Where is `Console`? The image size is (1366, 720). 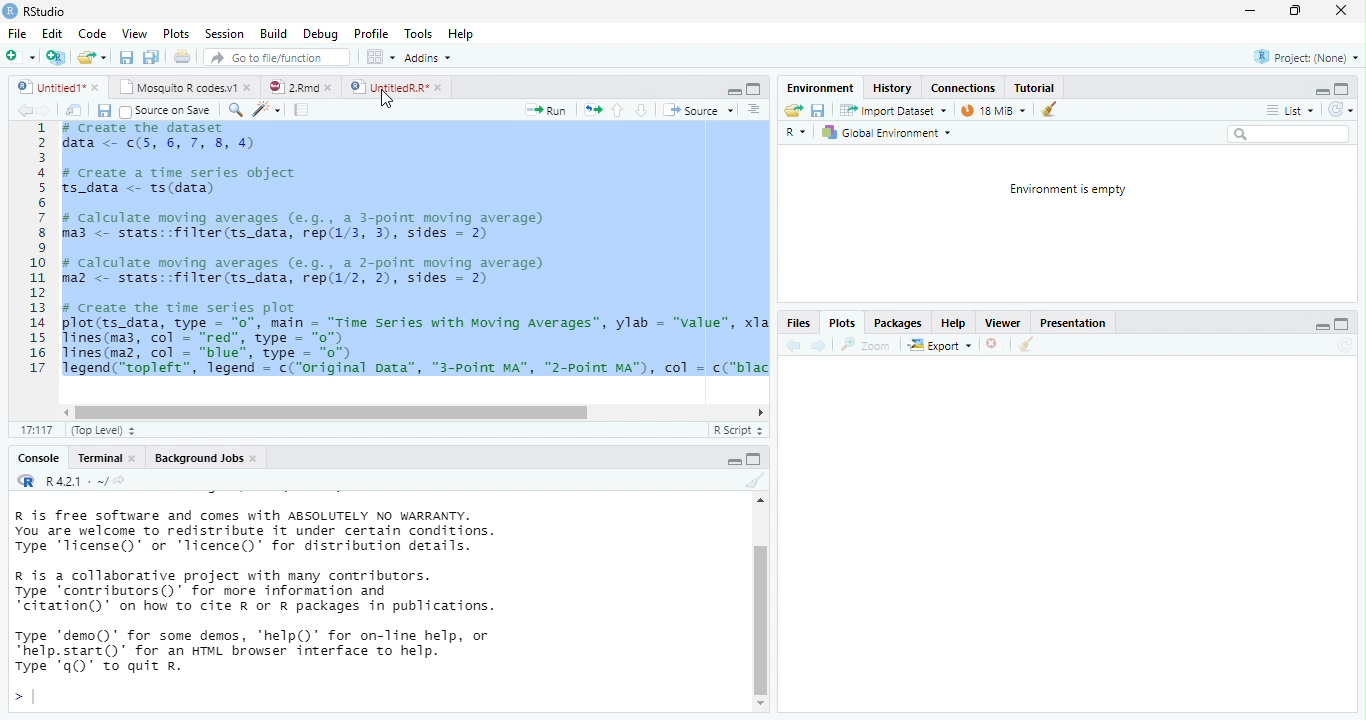 Console is located at coordinates (37, 459).